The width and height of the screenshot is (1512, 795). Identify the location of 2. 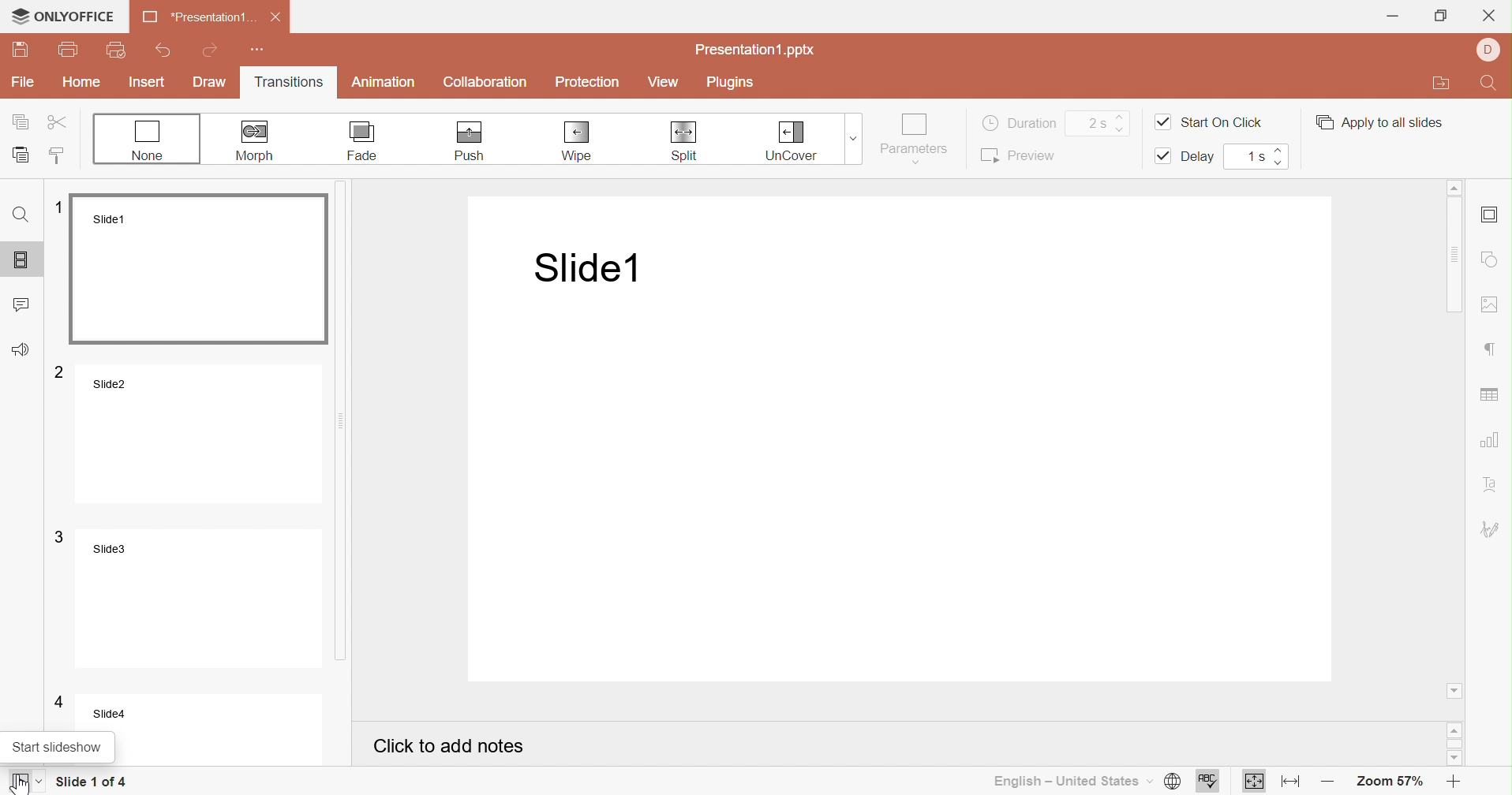
(62, 371).